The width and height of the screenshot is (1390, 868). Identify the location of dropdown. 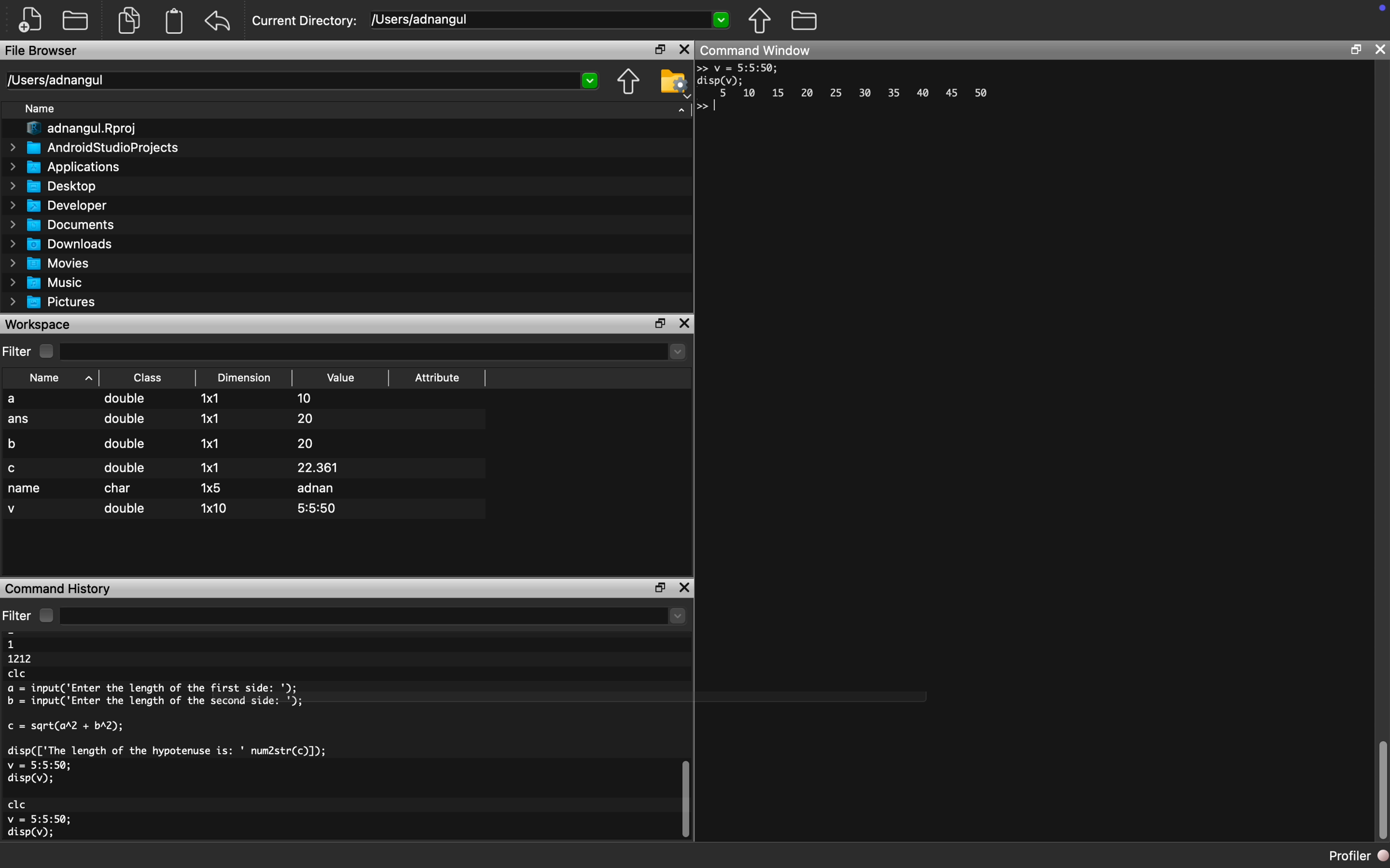
(673, 352).